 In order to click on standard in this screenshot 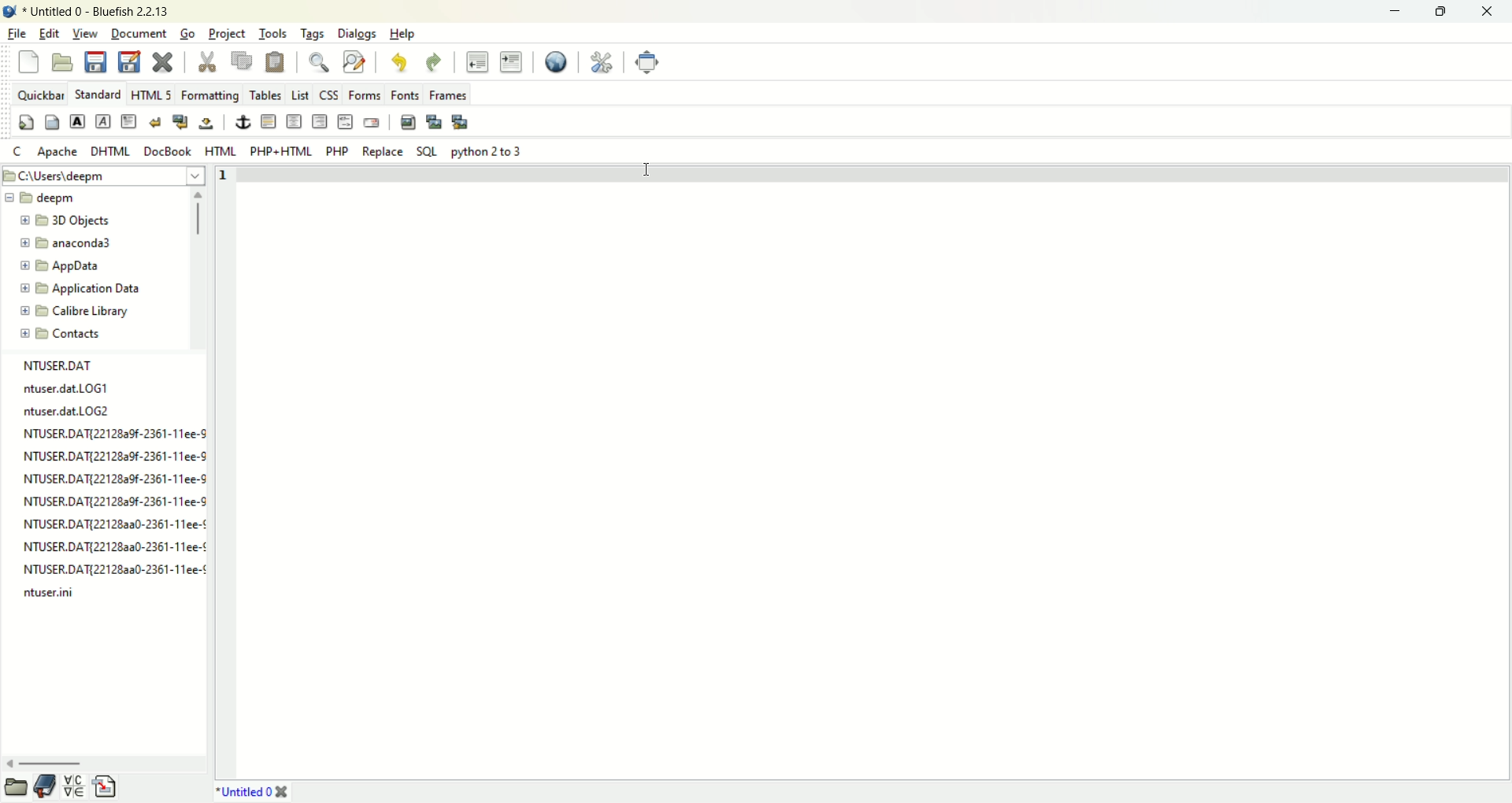, I will do `click(98, 94)`.